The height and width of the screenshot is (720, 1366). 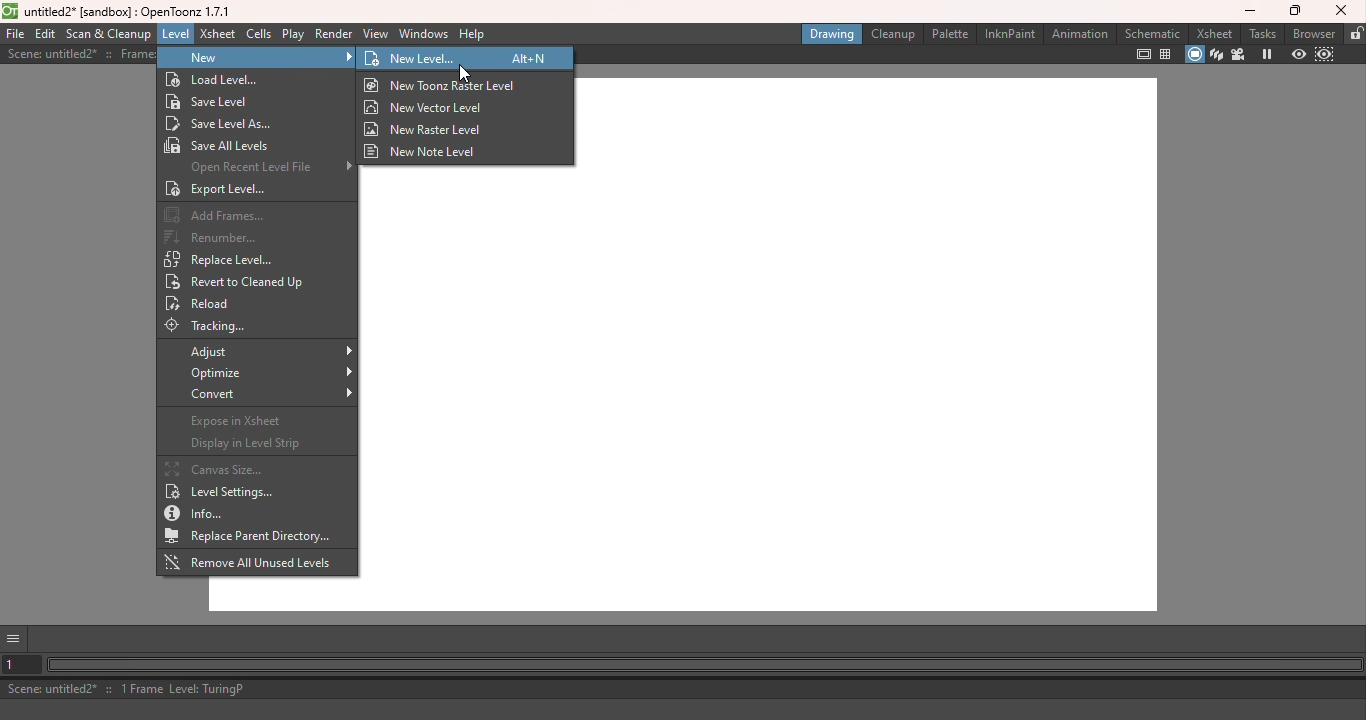 What do you see at coordinates (1355, 34) in the screenshot?
I see `Lock rooms tab` at bounding box center [1355, 34].